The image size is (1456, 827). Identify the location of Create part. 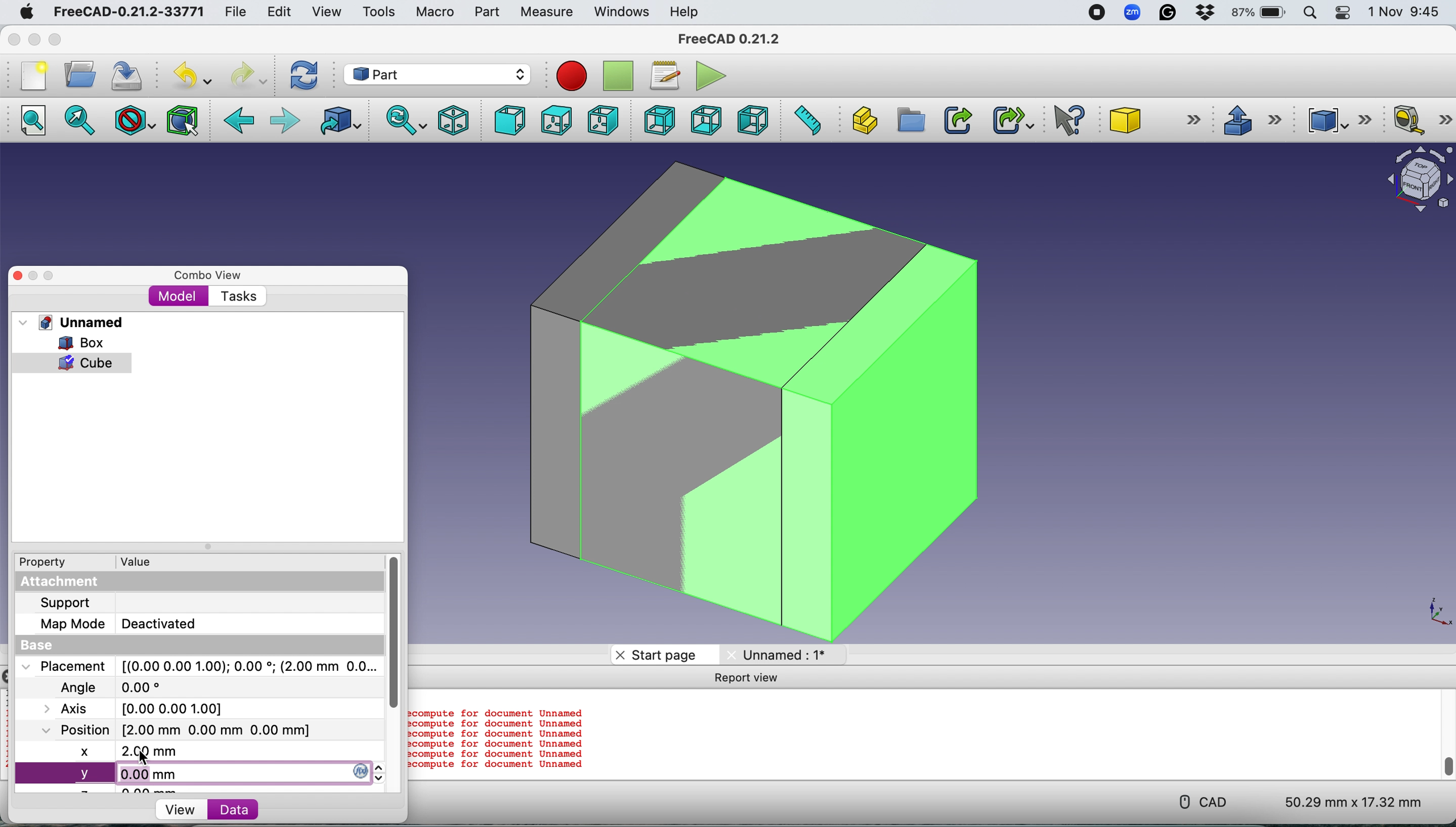
(861, 120).